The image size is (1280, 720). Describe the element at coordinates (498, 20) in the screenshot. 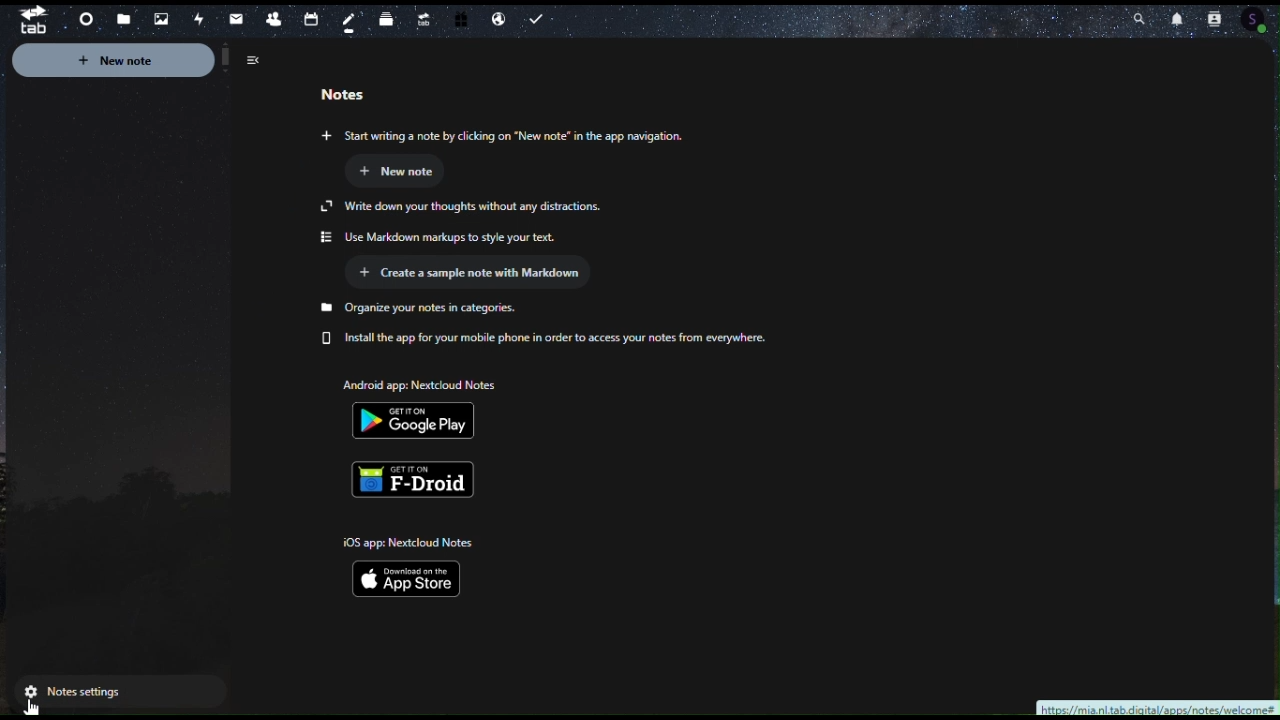

I see `Email handling` at that location.